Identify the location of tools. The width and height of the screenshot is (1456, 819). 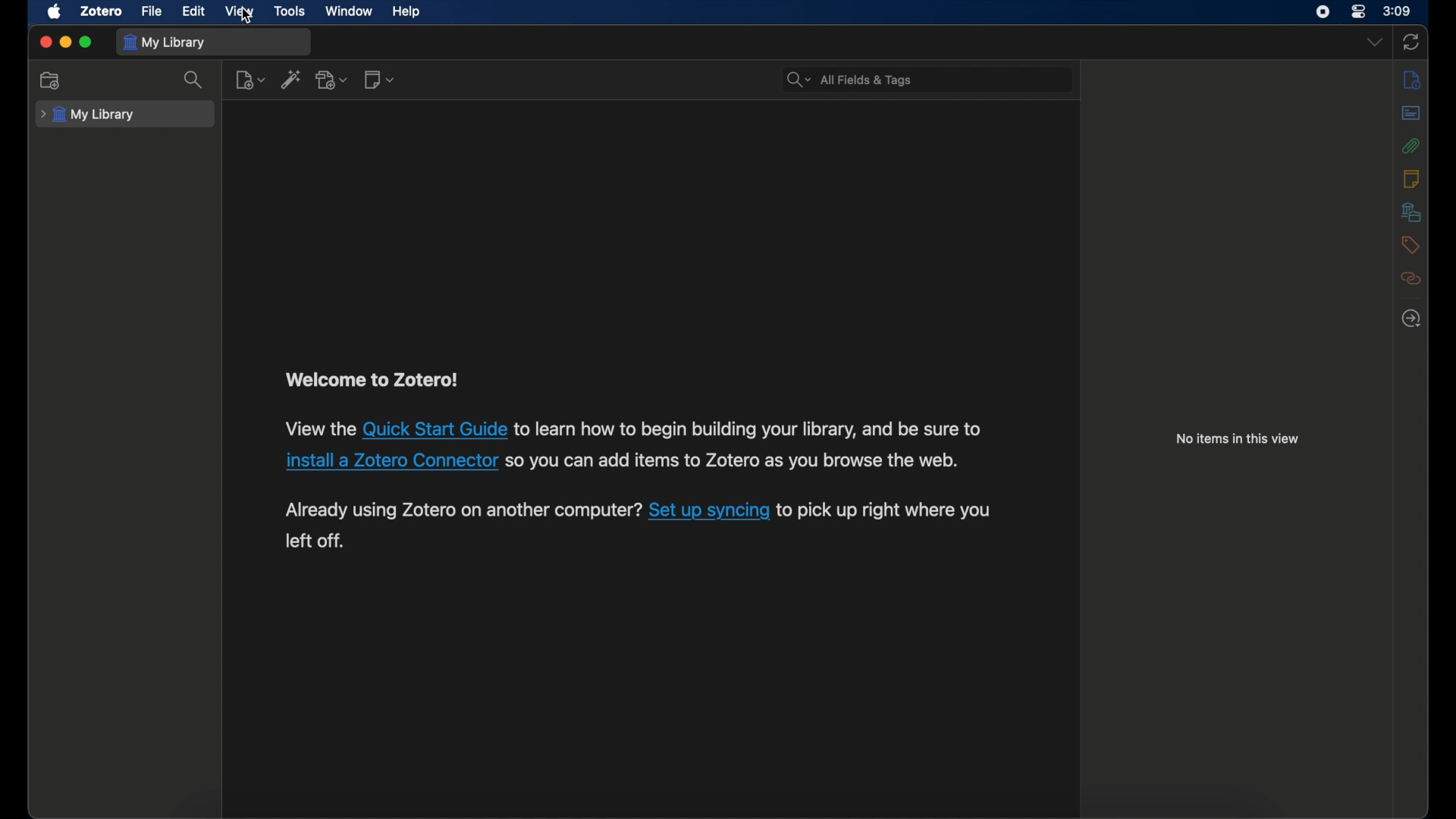
(291, 12).